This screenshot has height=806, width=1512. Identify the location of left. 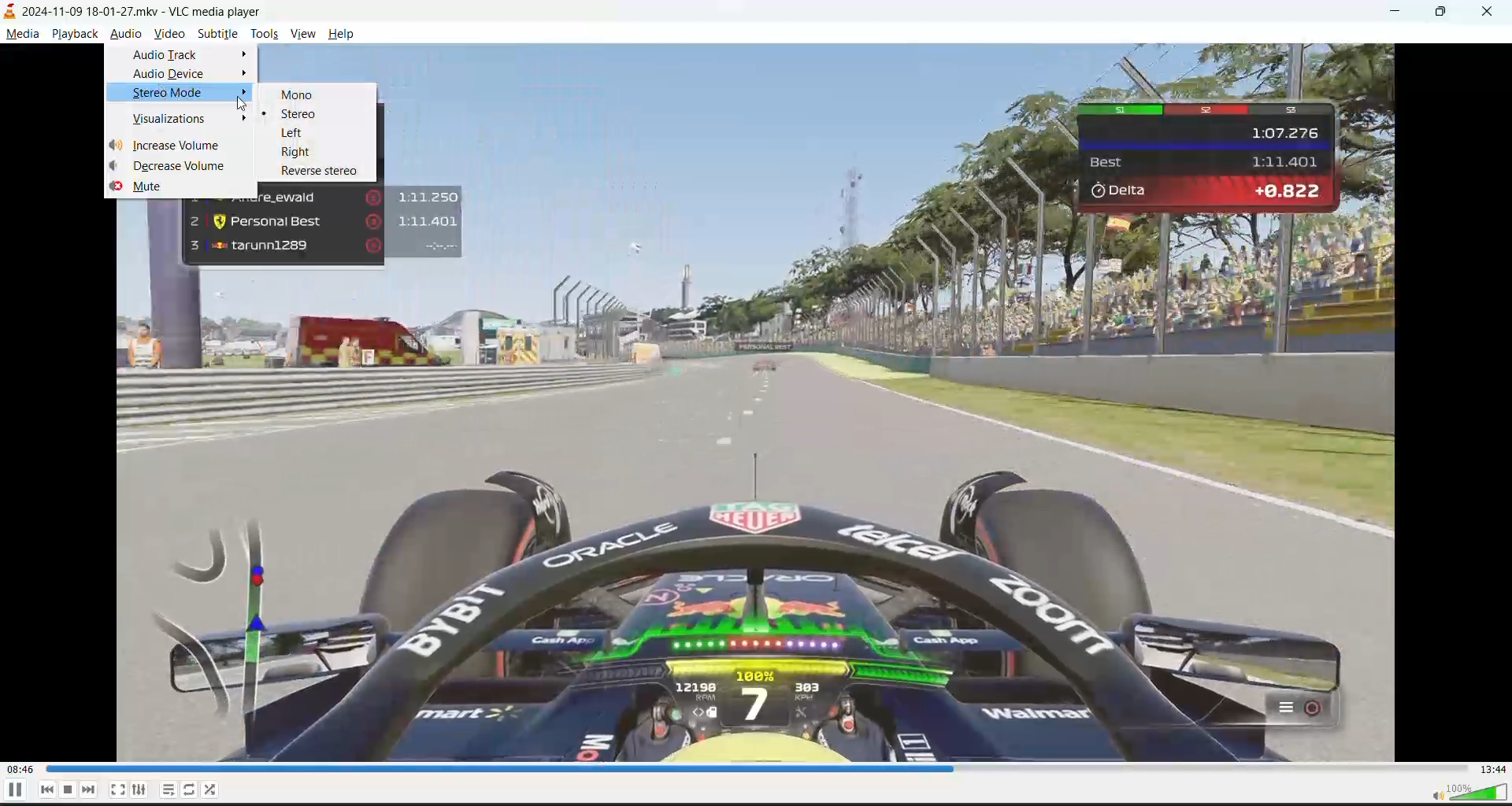
(306, 131).